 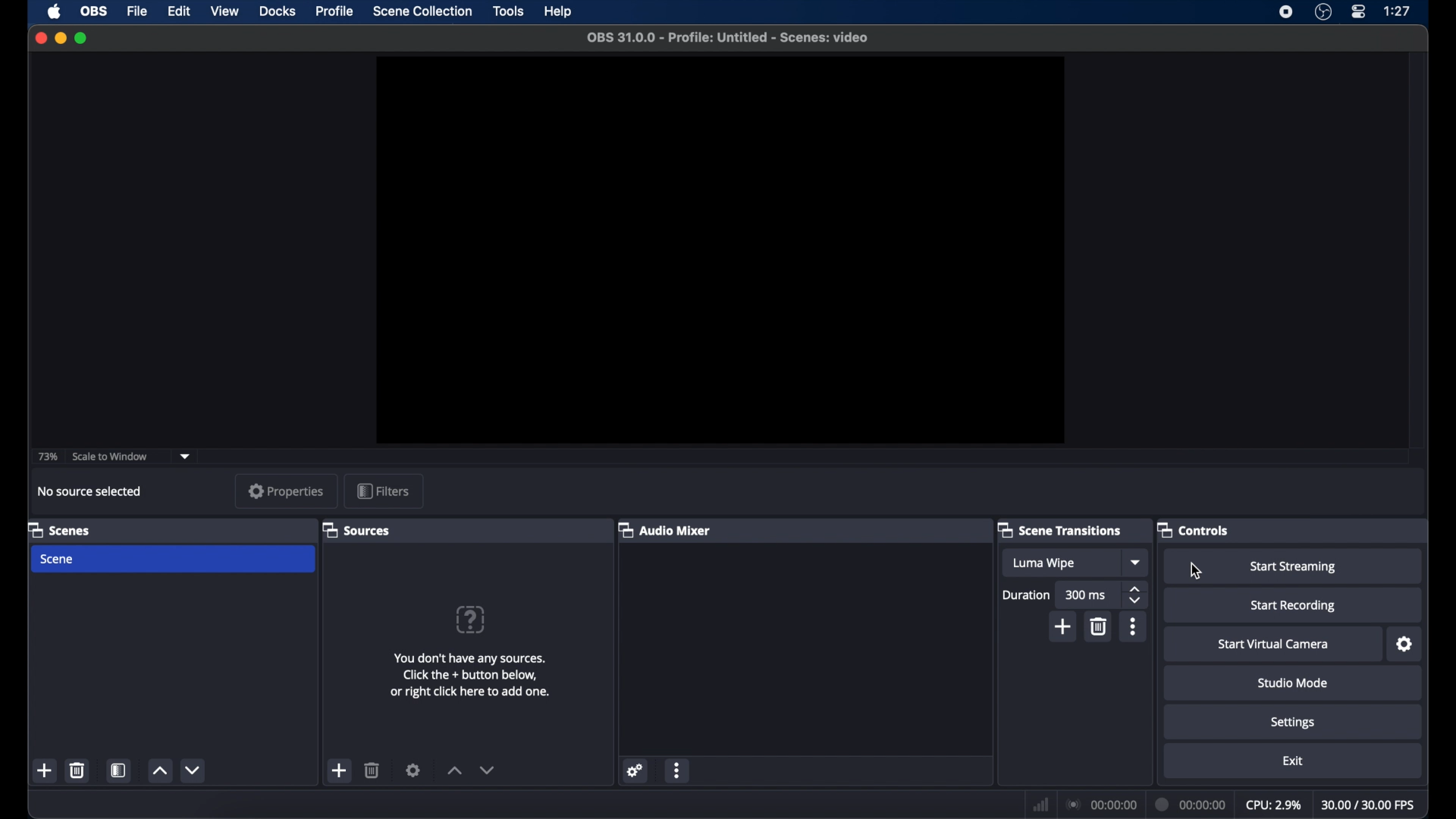 What do you see at coordinates (678, 770) in the screenshot?
I see `more options` at bounding box center [678, 770].